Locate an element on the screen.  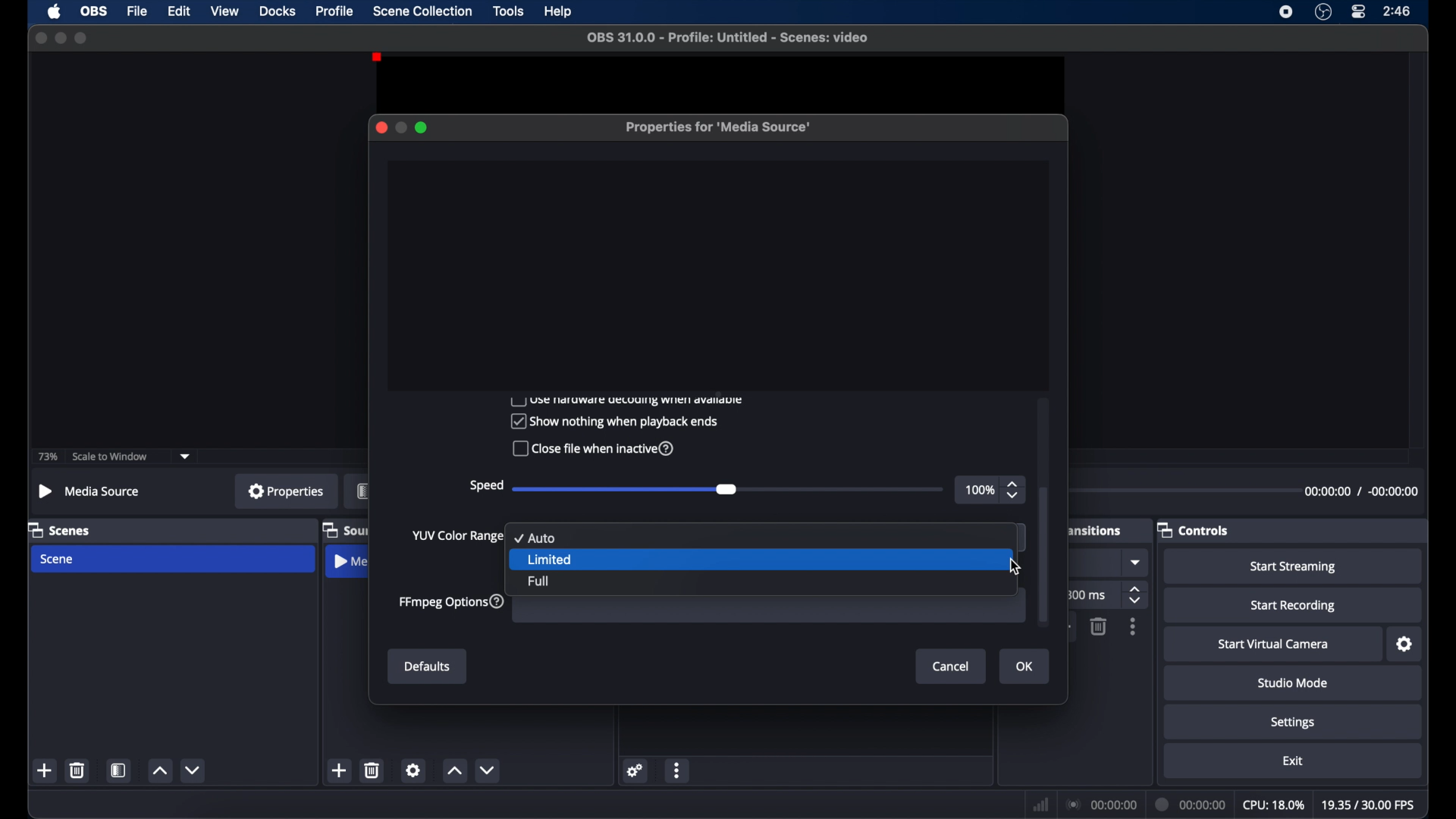
yup color range is located at coordinates (459, 535).